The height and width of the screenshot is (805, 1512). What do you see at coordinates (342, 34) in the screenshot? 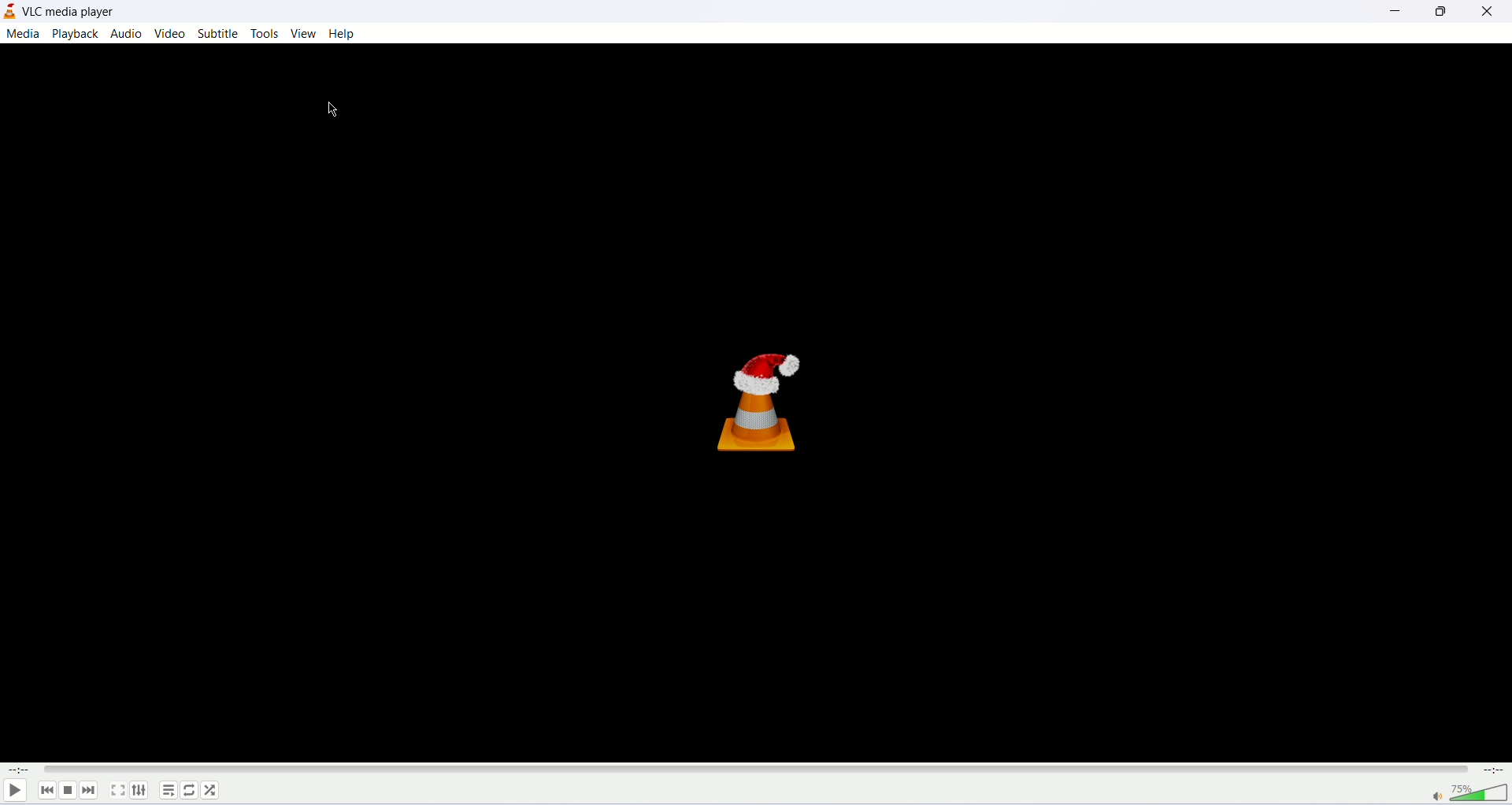
I see `help` at bounding box center [342, 34].